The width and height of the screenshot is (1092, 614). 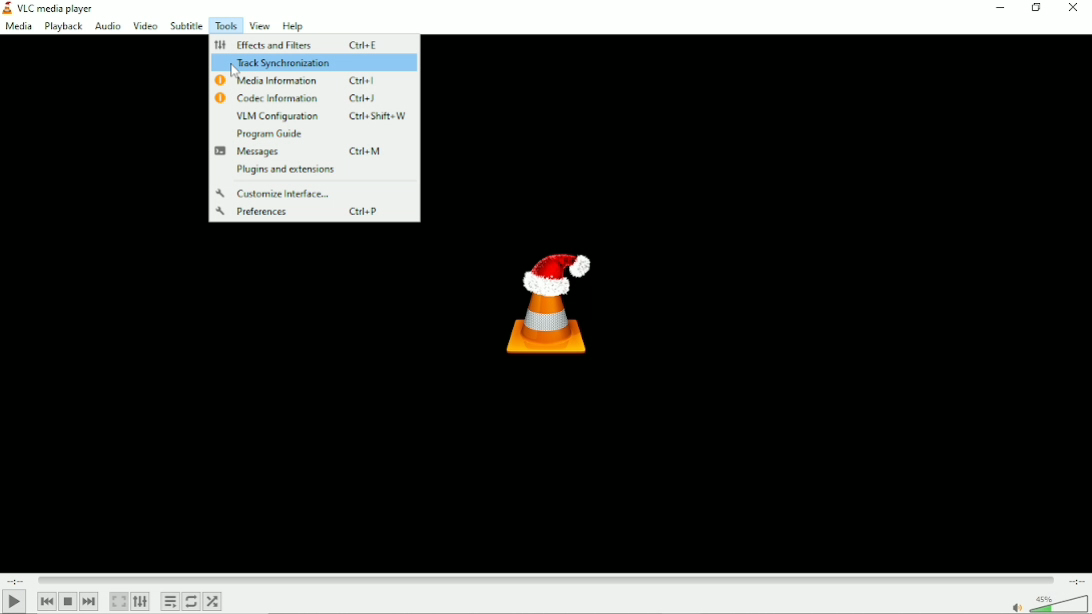 I want to click on Help, so click(x=293, y=25).